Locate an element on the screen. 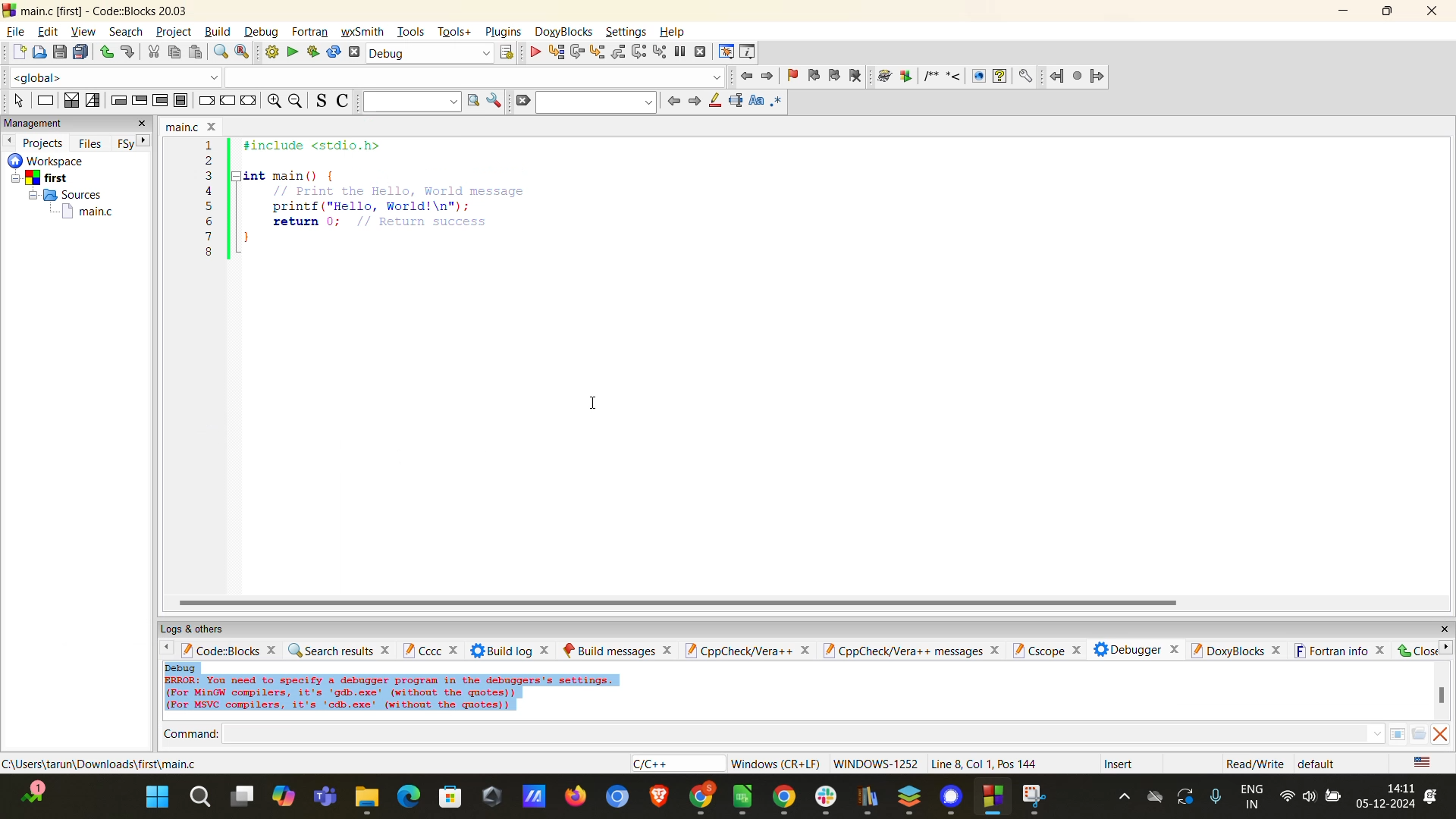  tools+ is located at coordinates (454, 33).